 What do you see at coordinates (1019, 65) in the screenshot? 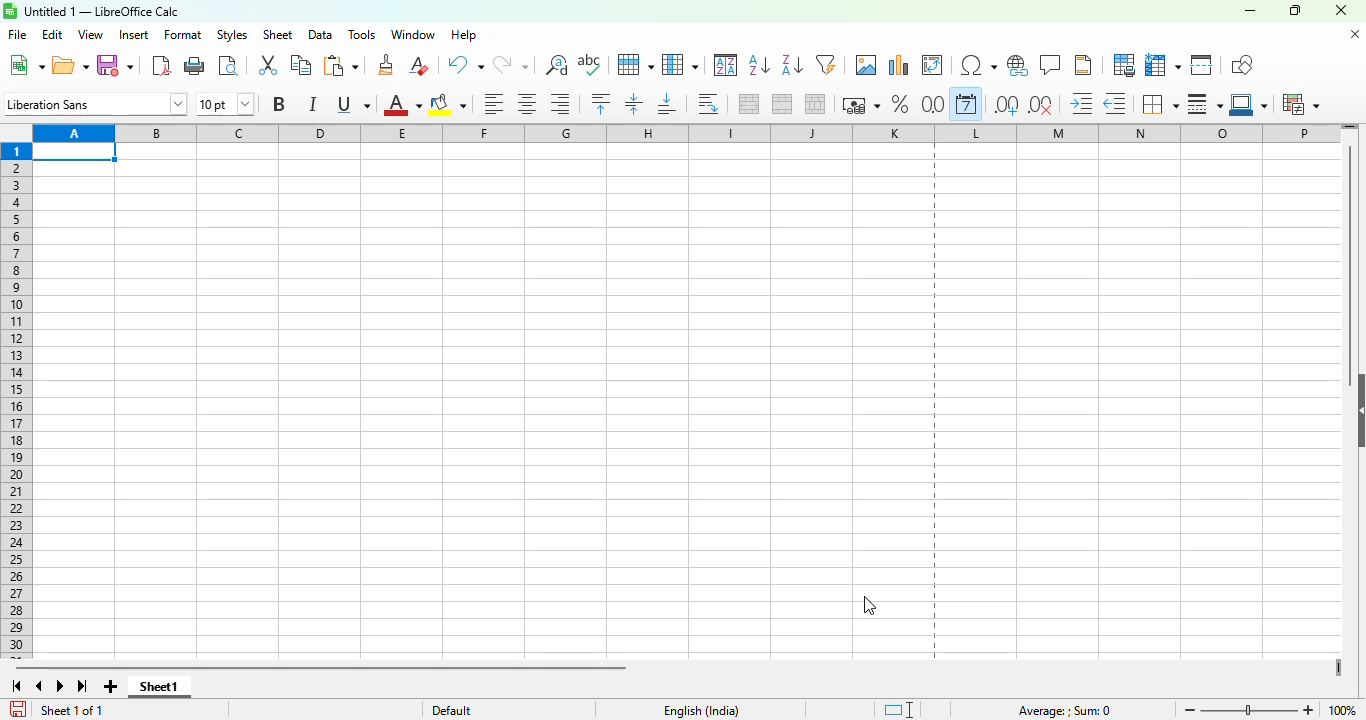
I see `insert hyperlink` at bounding box center [1019, 65].